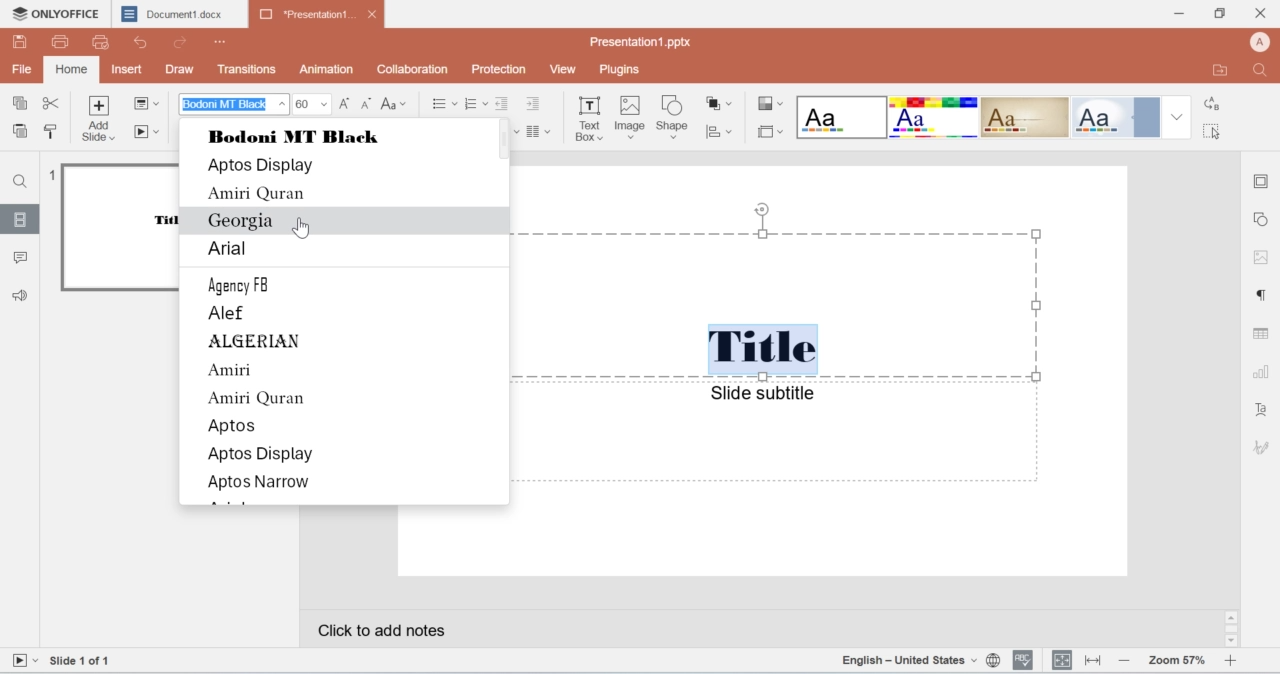  What do you see at coordinates (675, 119) in the screenshot?
I see `shape` at bounding box center [675, 119].